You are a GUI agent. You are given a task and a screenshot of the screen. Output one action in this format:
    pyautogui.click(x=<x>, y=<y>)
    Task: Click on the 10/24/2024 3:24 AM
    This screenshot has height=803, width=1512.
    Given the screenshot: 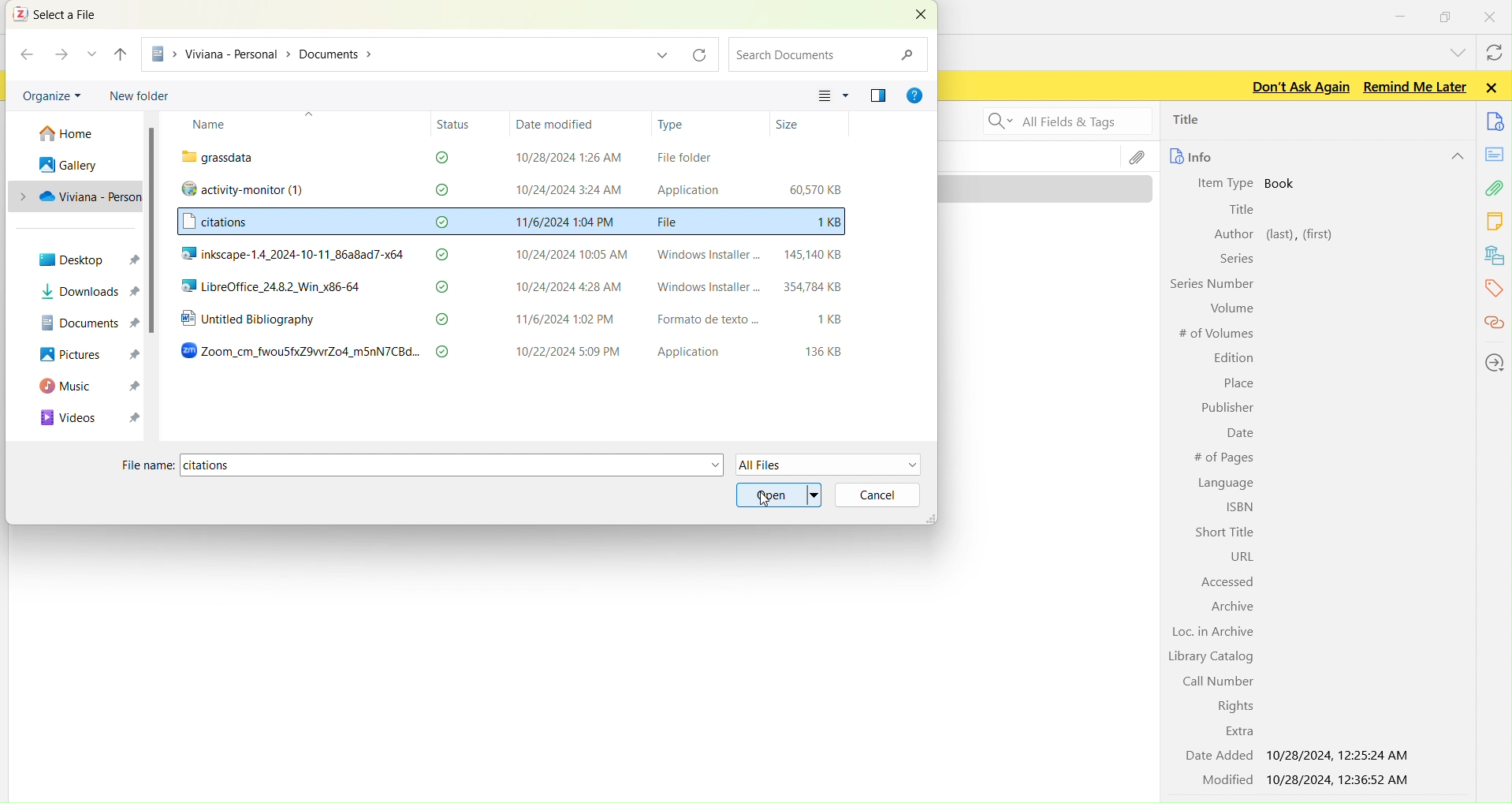 What is the action you would take?
    pyautogui.click(x=560, y=189)
    